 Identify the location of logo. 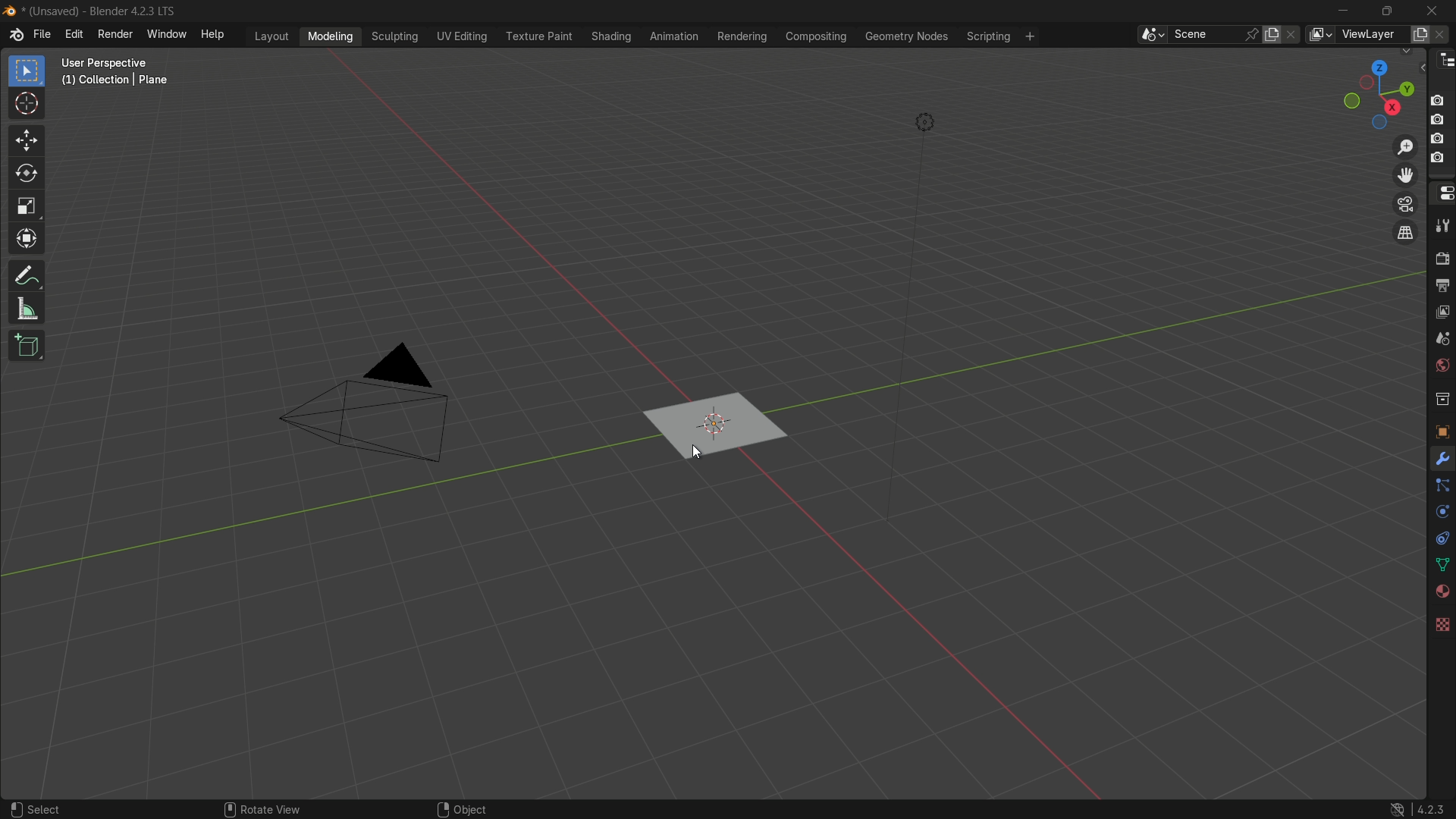
(14, 37).